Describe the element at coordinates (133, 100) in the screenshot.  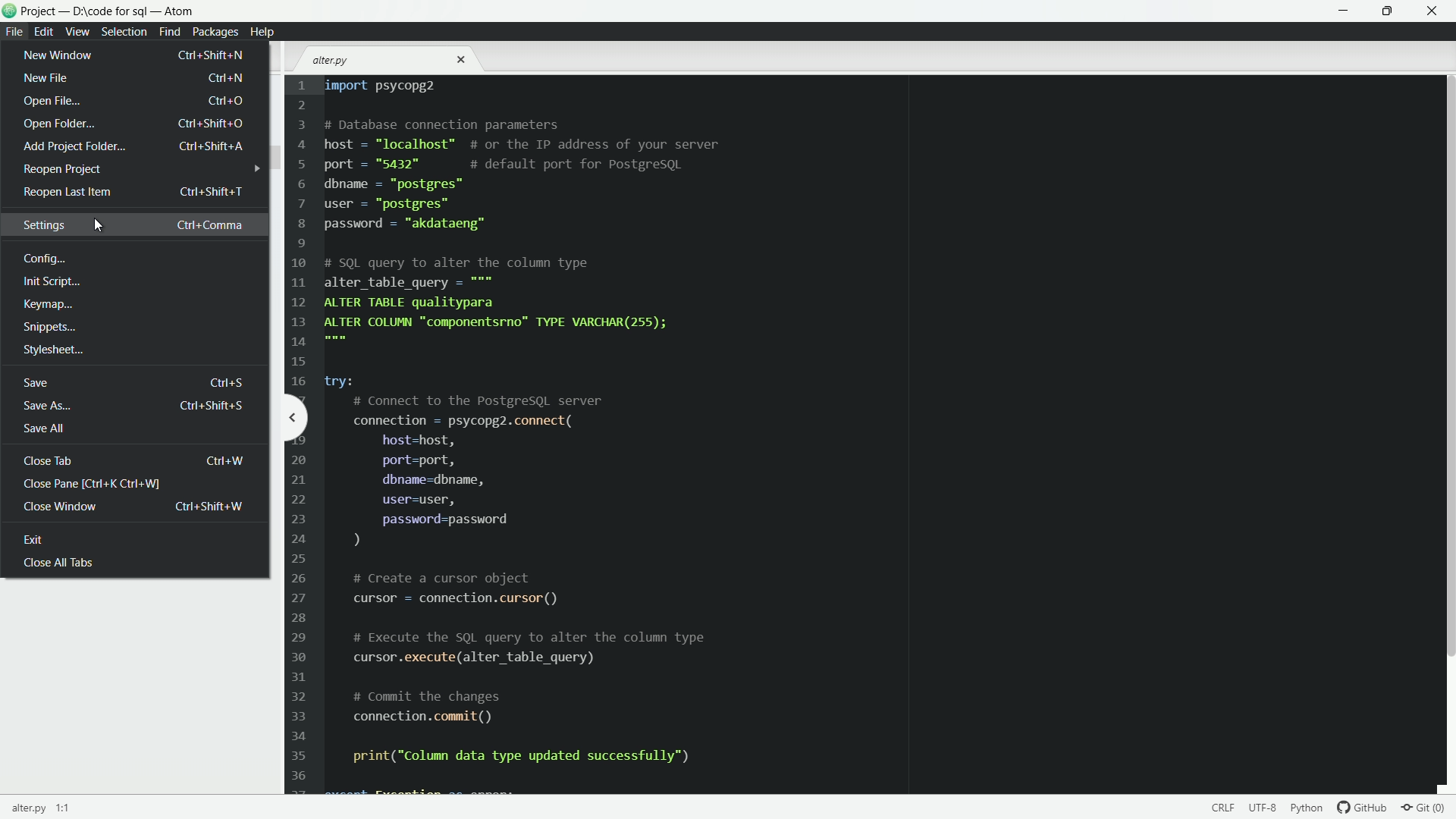
I see `open file` at that location.